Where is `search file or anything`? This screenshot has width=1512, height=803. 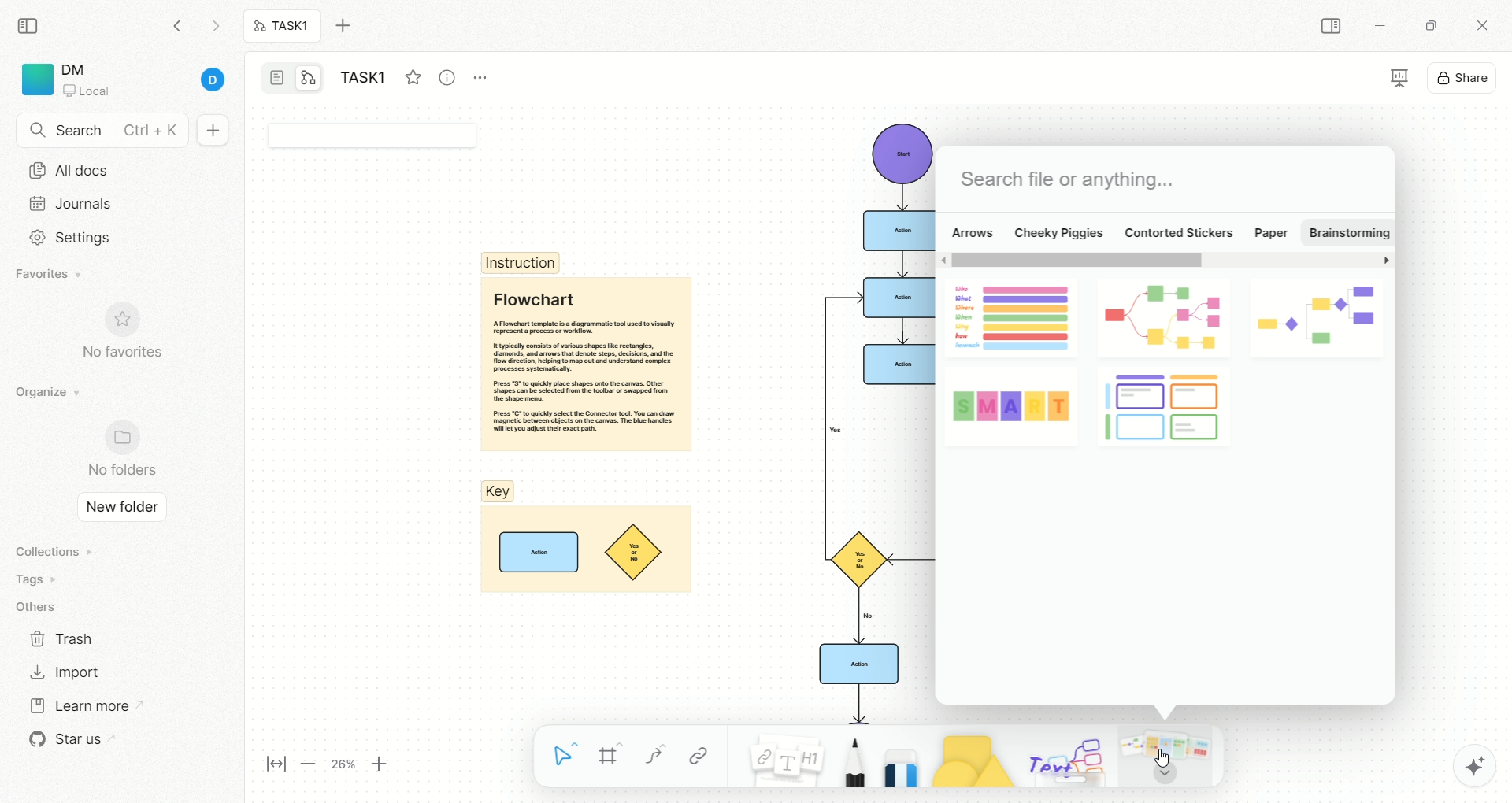
search file or anything is located at coordinates (1065, 180).